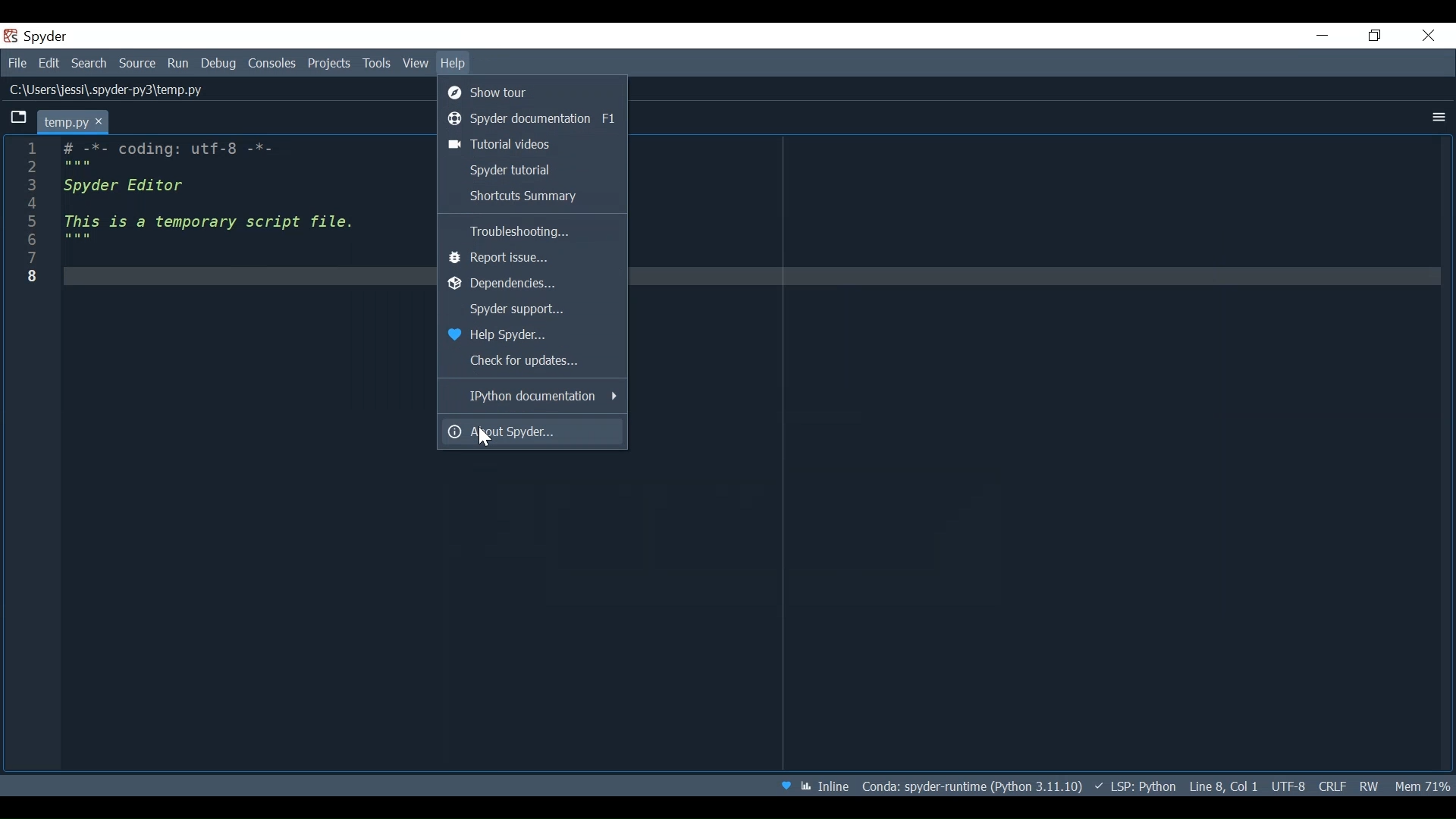  Describe the element at coordinates (113, 90) in the screenshot. I see `File Path` at that location.